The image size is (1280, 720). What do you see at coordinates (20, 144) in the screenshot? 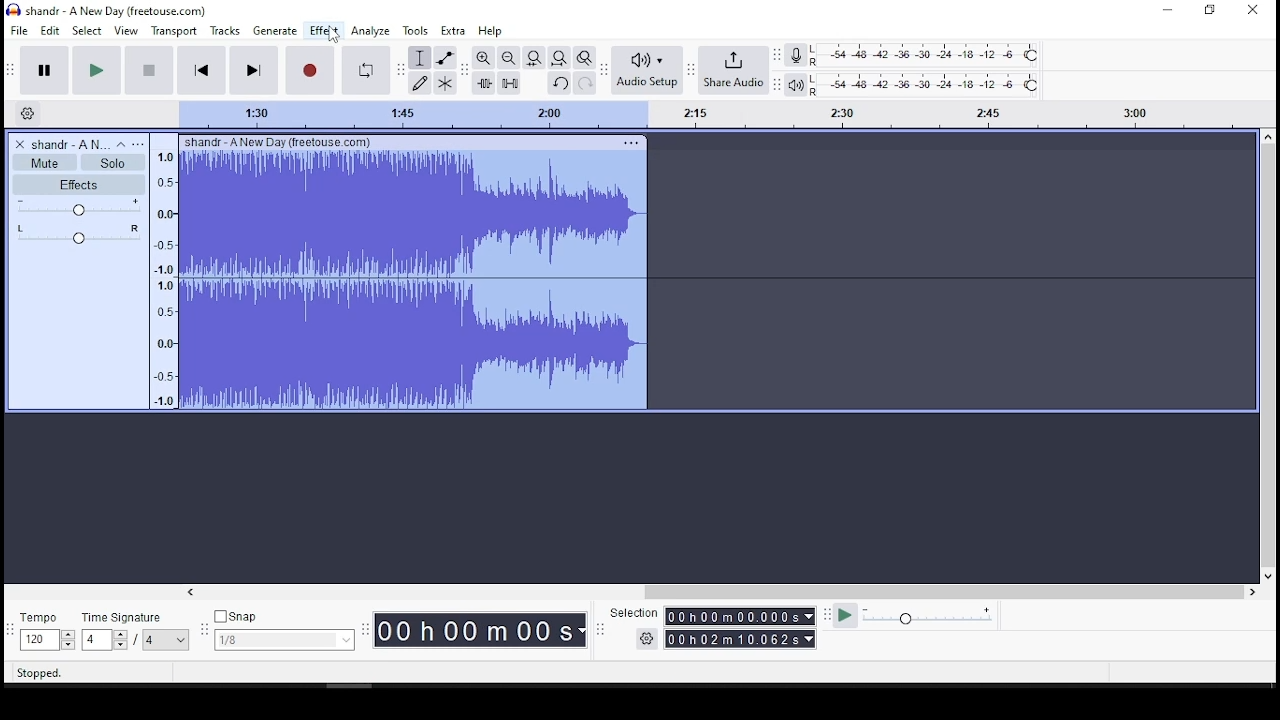
I see `delete track` at bounding box center [20, 144].